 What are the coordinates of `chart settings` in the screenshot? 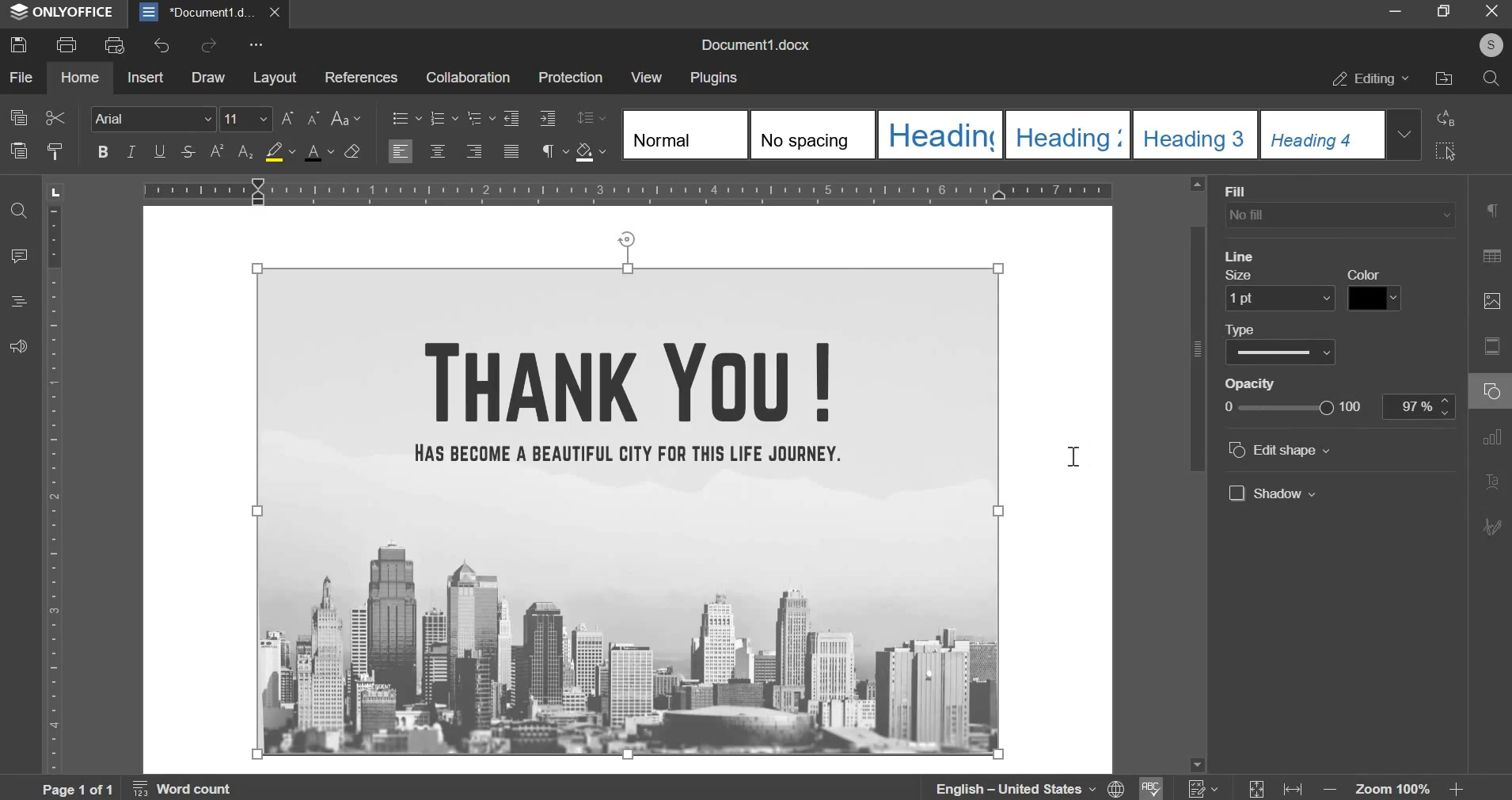 It's located at (1495, 438).